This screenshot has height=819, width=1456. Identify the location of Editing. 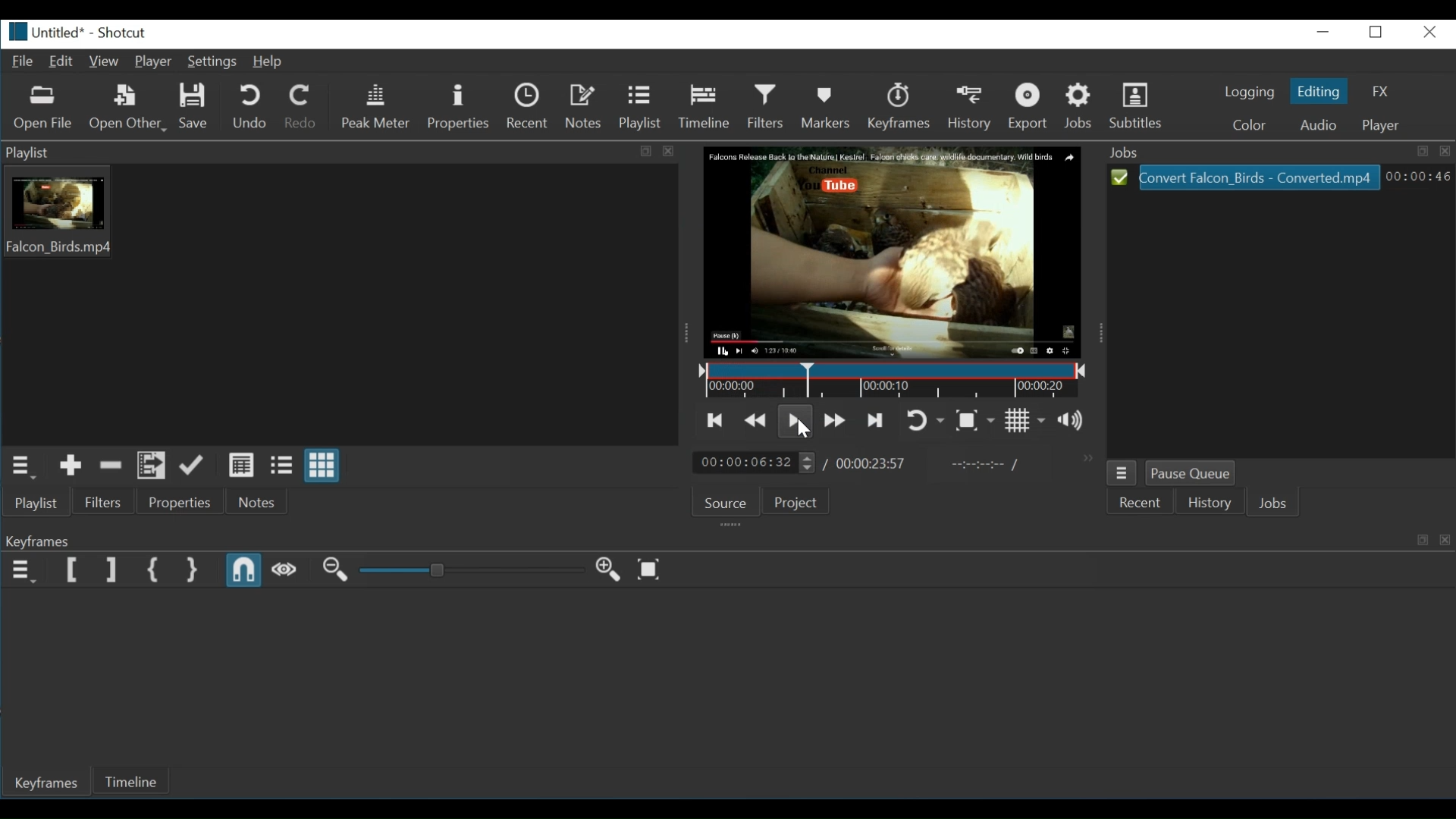
(1320, 91).